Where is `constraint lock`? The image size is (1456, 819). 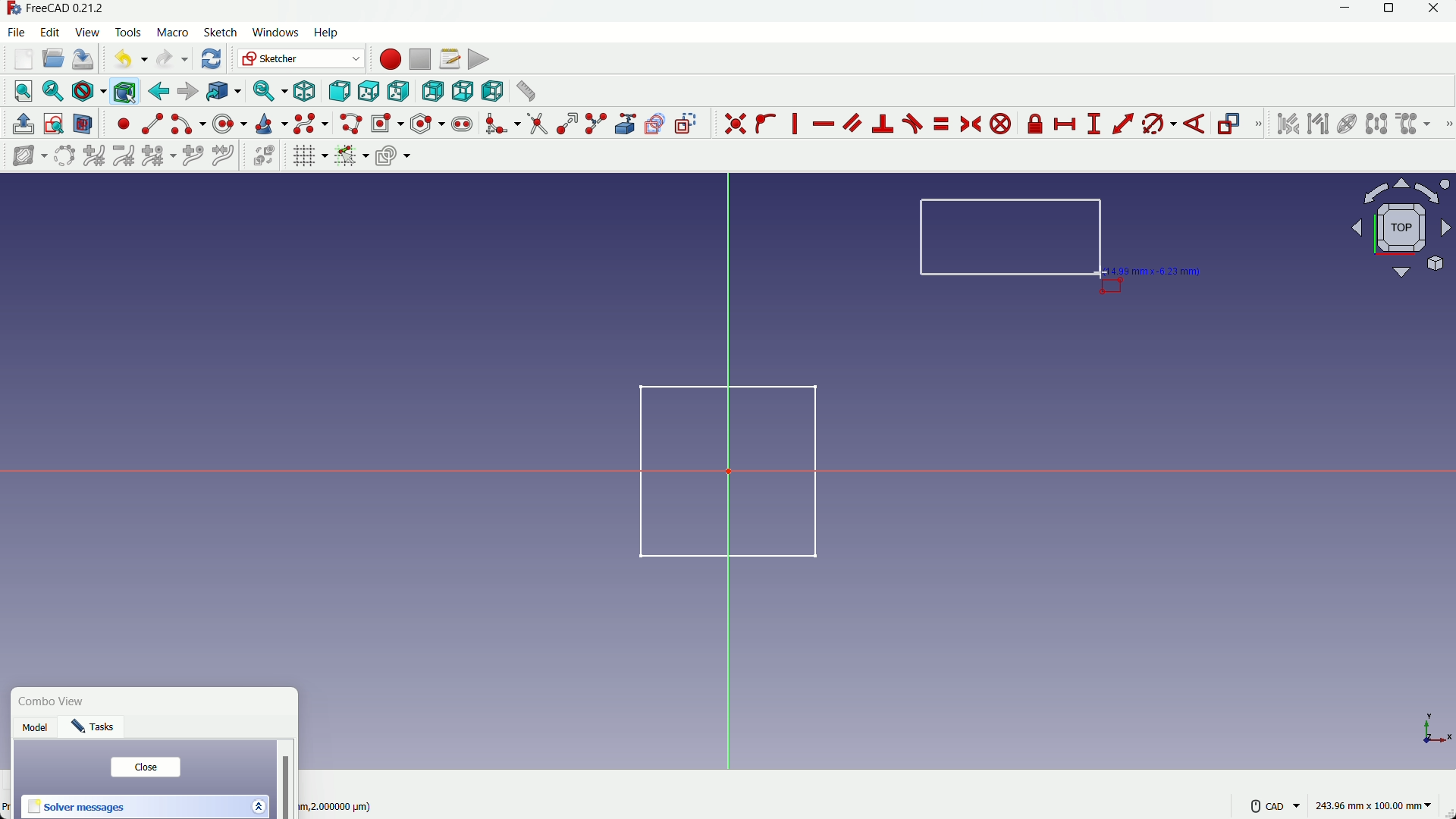
constraint lock is located at coordinates (1036, 127).